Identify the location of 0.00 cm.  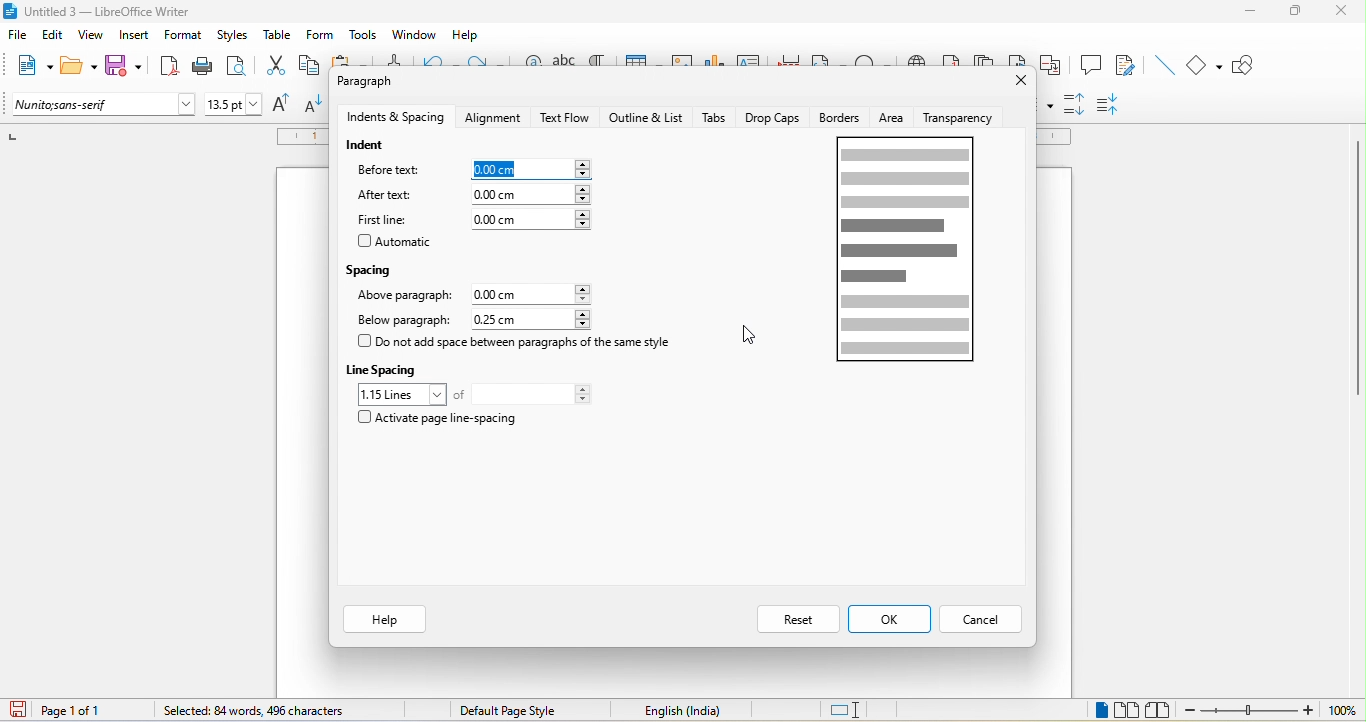
(519, 195).